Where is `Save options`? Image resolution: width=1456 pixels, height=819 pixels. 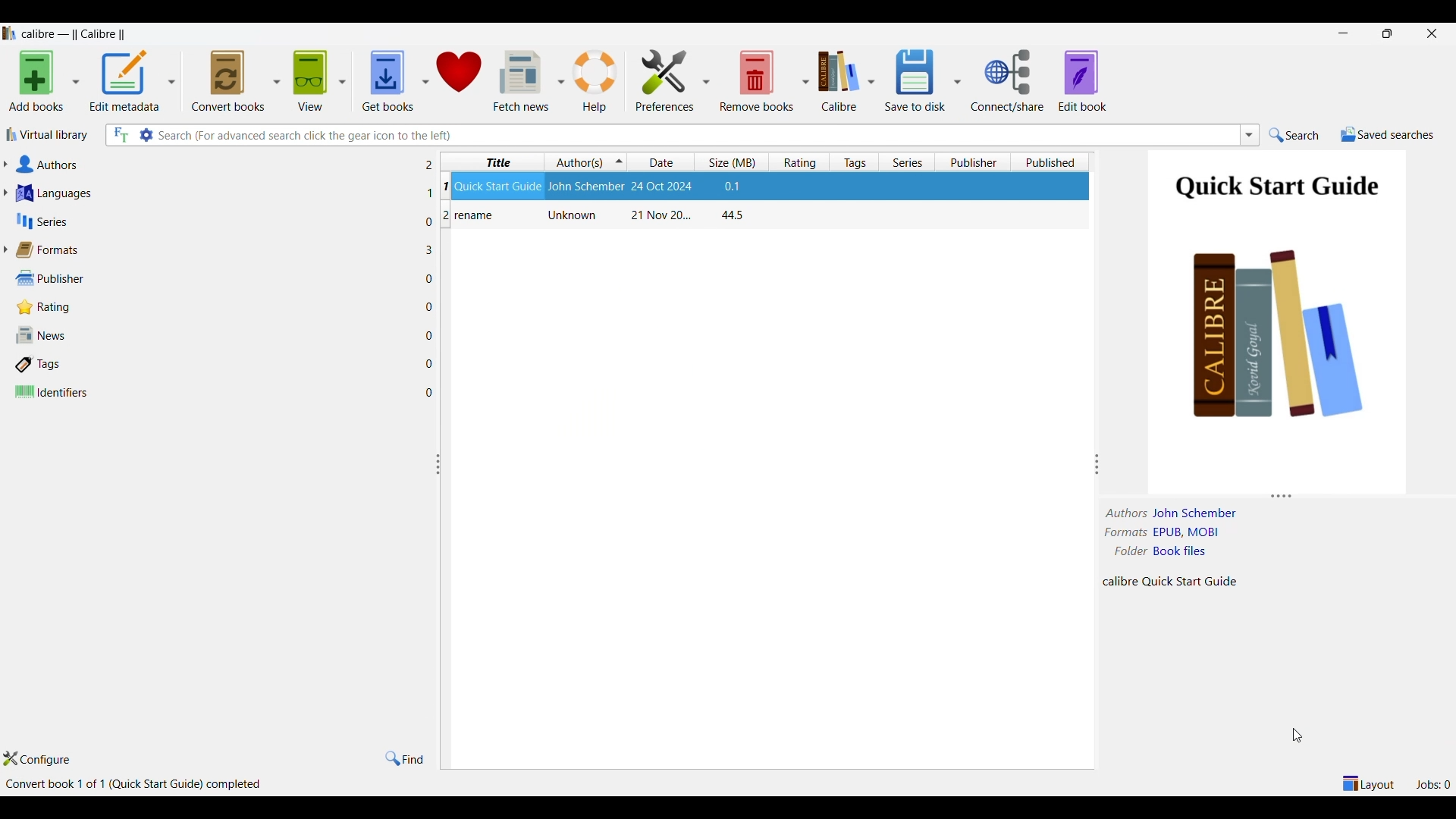
Save options is located at coordinates (958, 80).